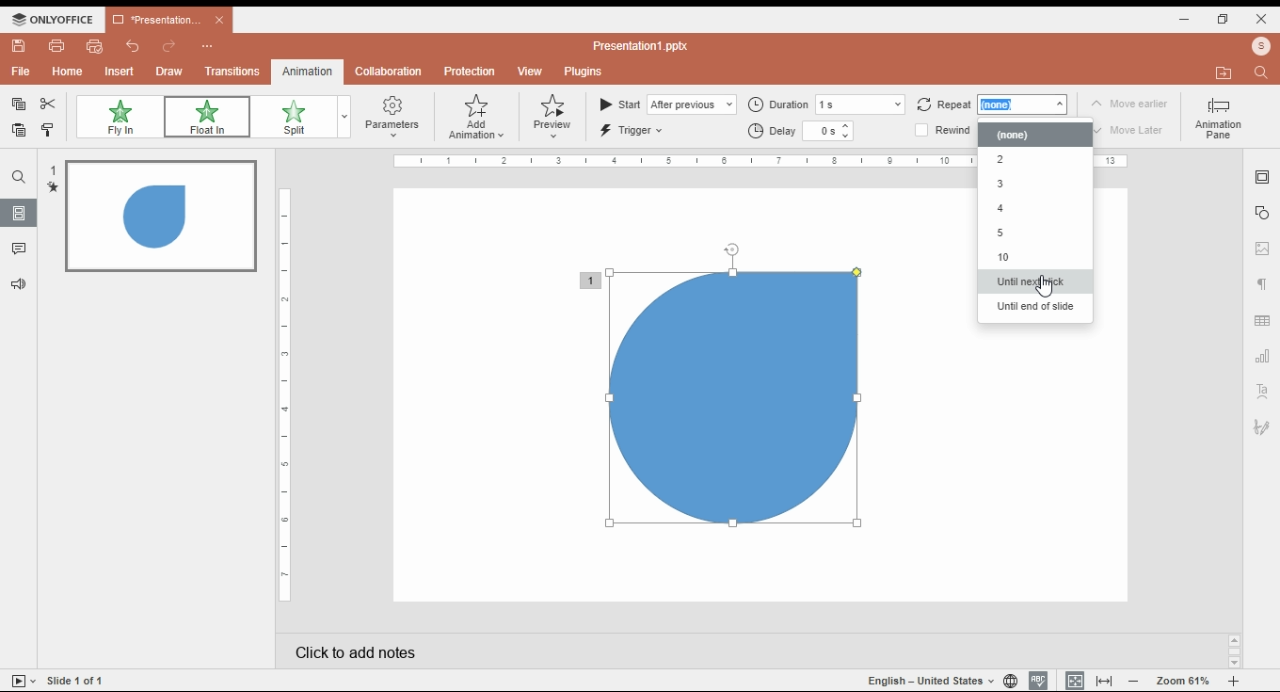  What do you see at coordinates (233, 71) in the screenshot?
I see `transitions` at bounding box center [233, 71].